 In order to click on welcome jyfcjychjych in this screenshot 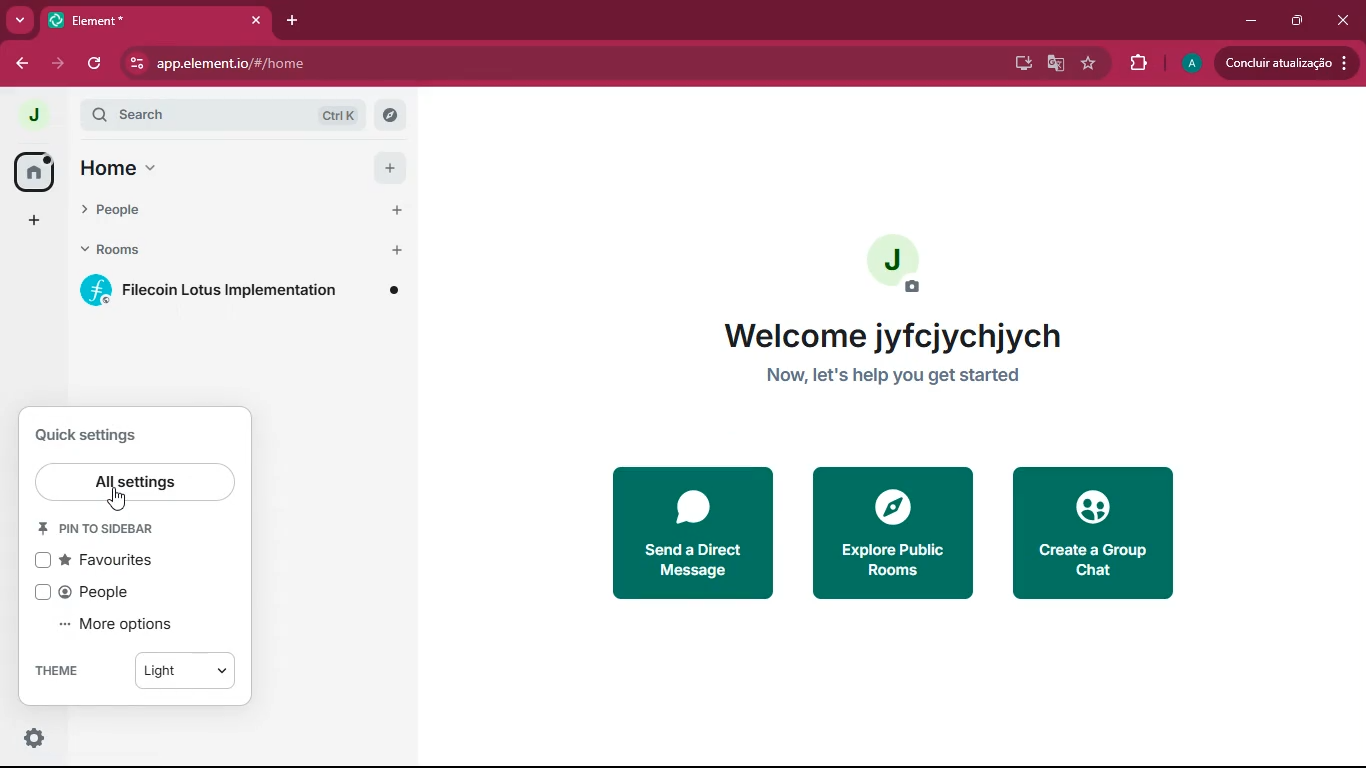, I will do `click(890, 332)`.